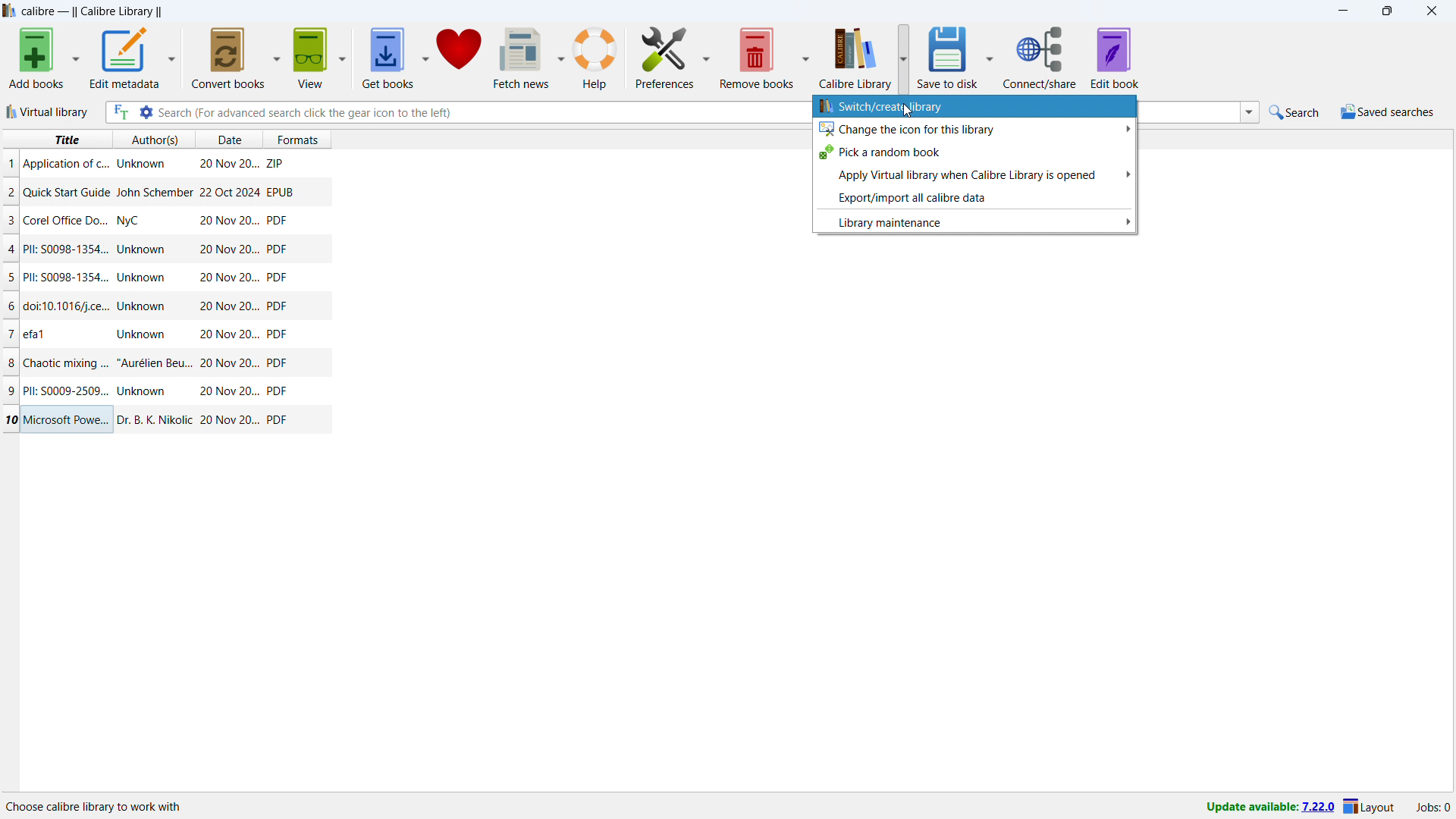 The image size is (1456, 819). I want to click on PDF, so click(279, 364).